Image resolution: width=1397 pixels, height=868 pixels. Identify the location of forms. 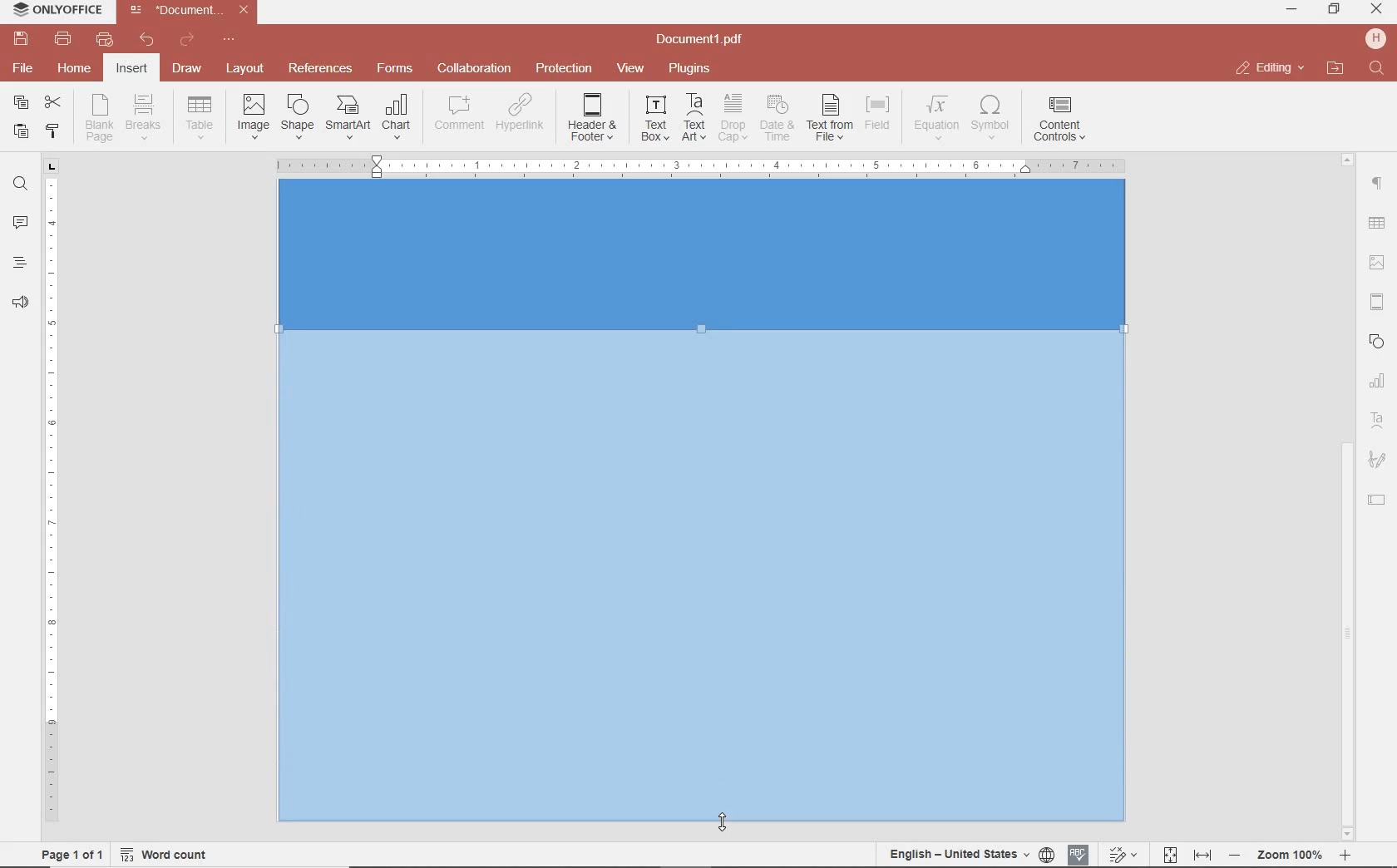
(395, 68).